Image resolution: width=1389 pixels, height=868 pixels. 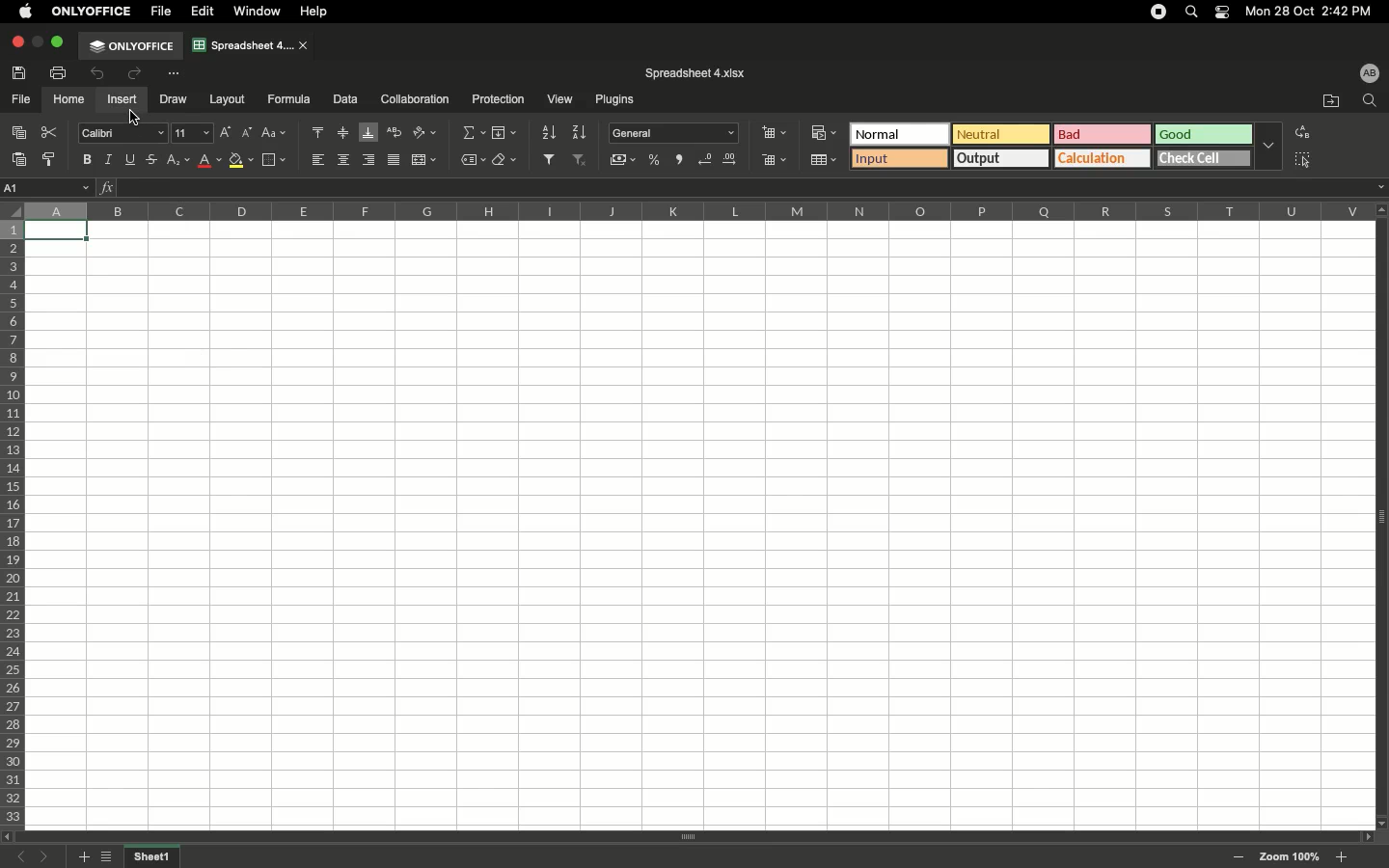 What do you see at coordinates (277, 133) in the screenshot?
I see `Change case` at bounding box center [277, 133].